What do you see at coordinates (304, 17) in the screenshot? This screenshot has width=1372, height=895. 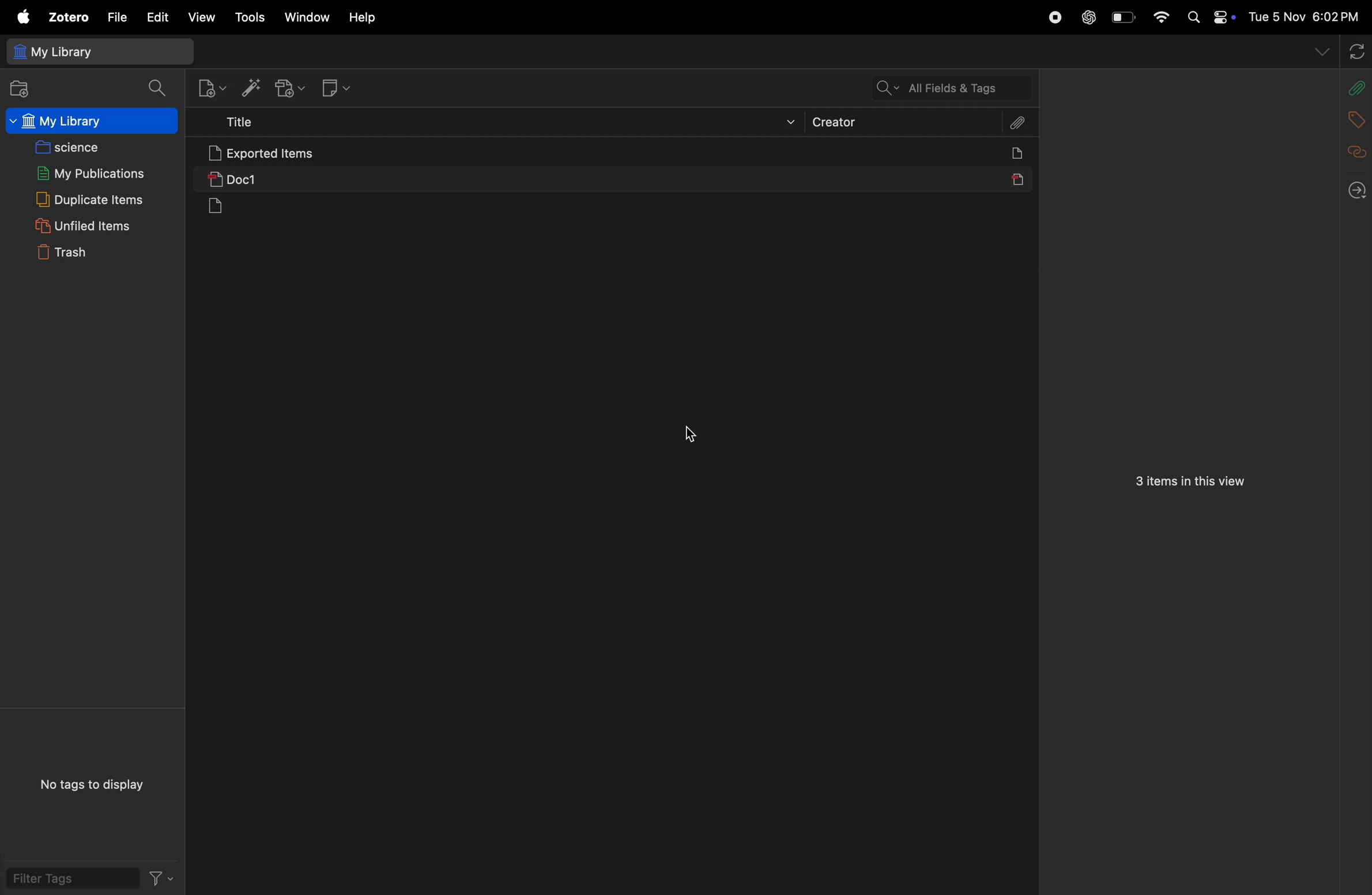 I see `window` at bounding box center [304, 17].